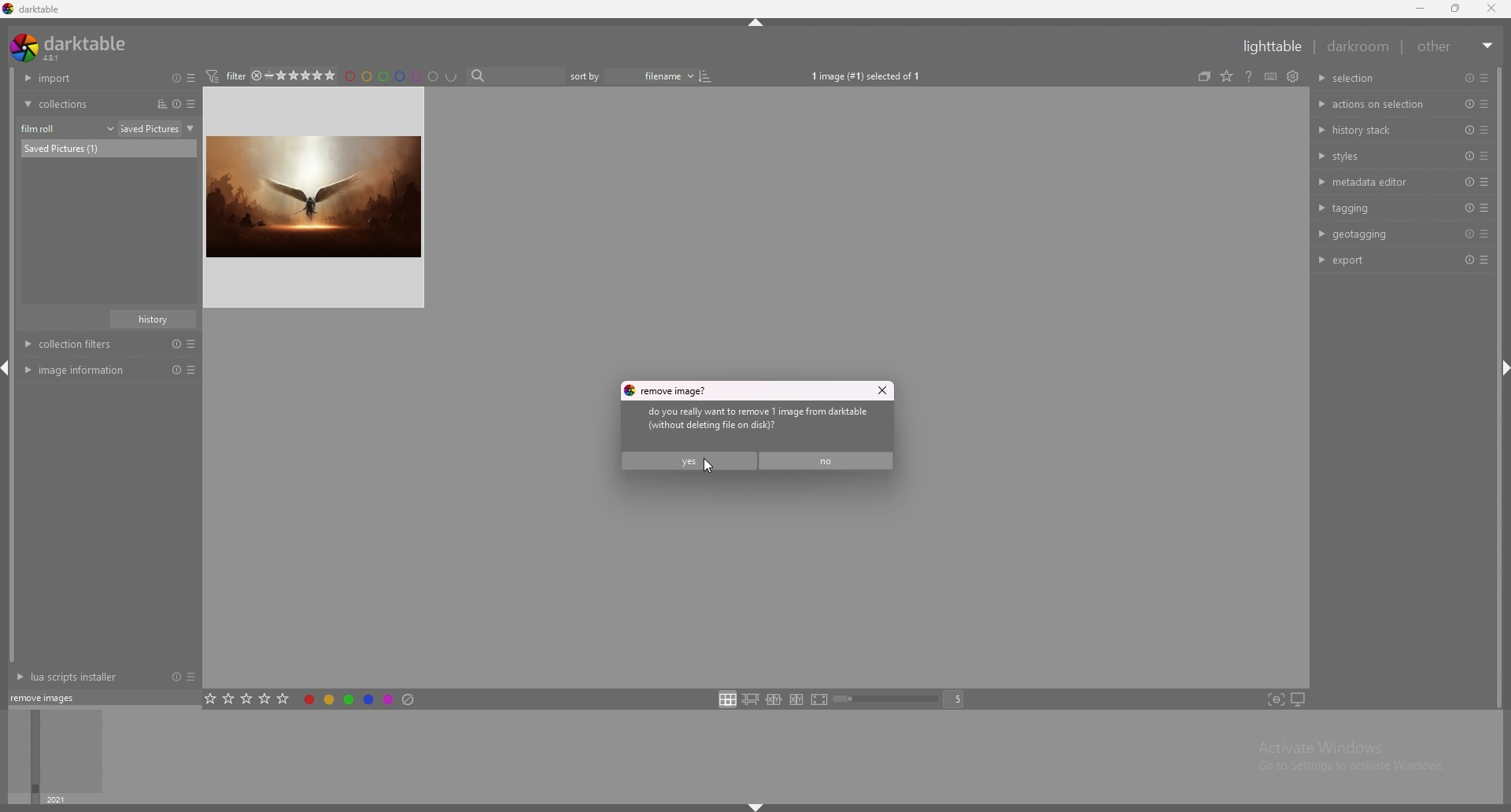 The width and height of the screenshot is (1511, 812). Describe the element at coordinates (1420, 9) in the screenshot. I see `minimize` at that location.